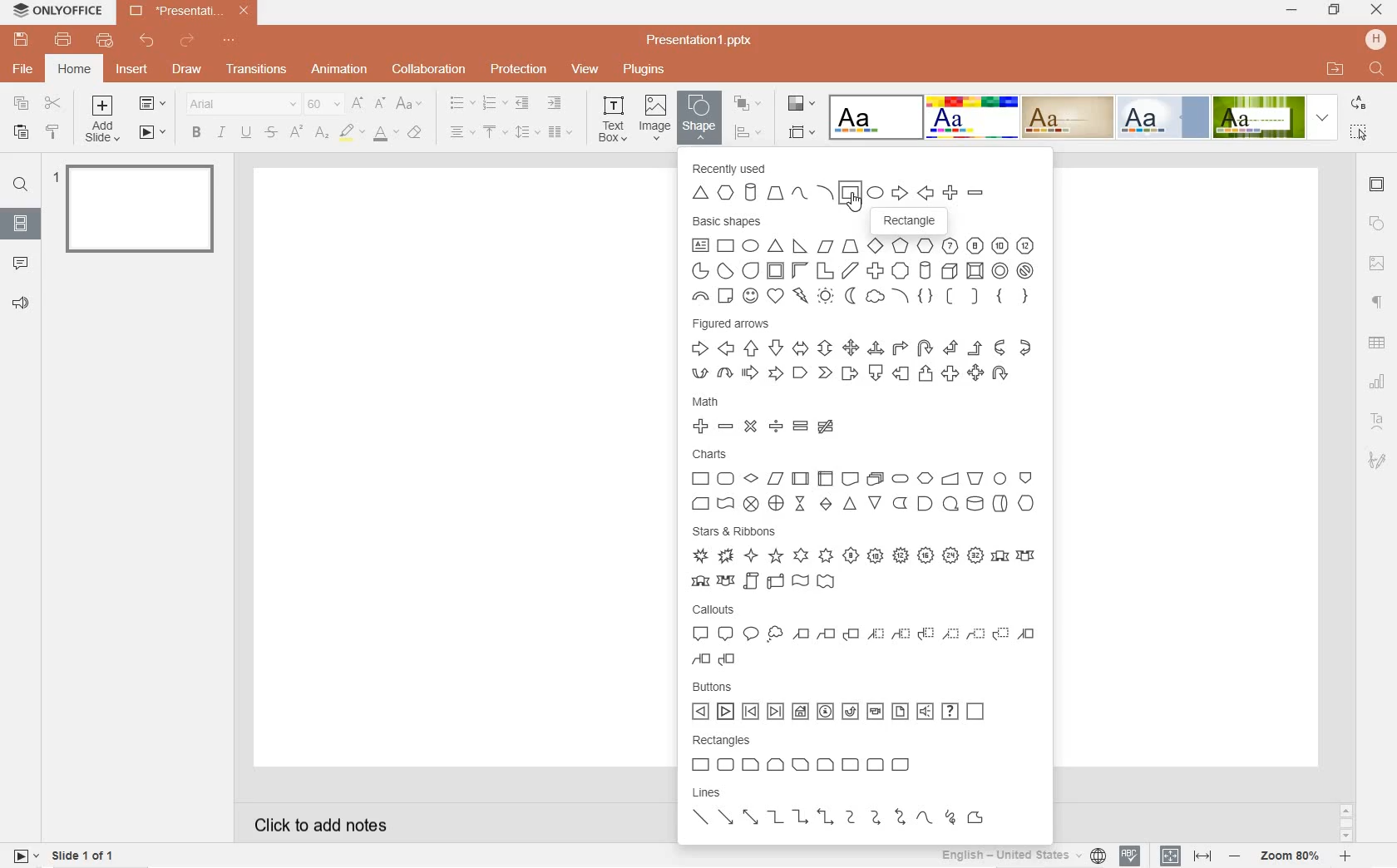 The height and width of the screenshot is (868, 1397). Describe the element at coordinates (727, 635) in the screenshot. I see `Rounded Rectangle Callout` at that location.